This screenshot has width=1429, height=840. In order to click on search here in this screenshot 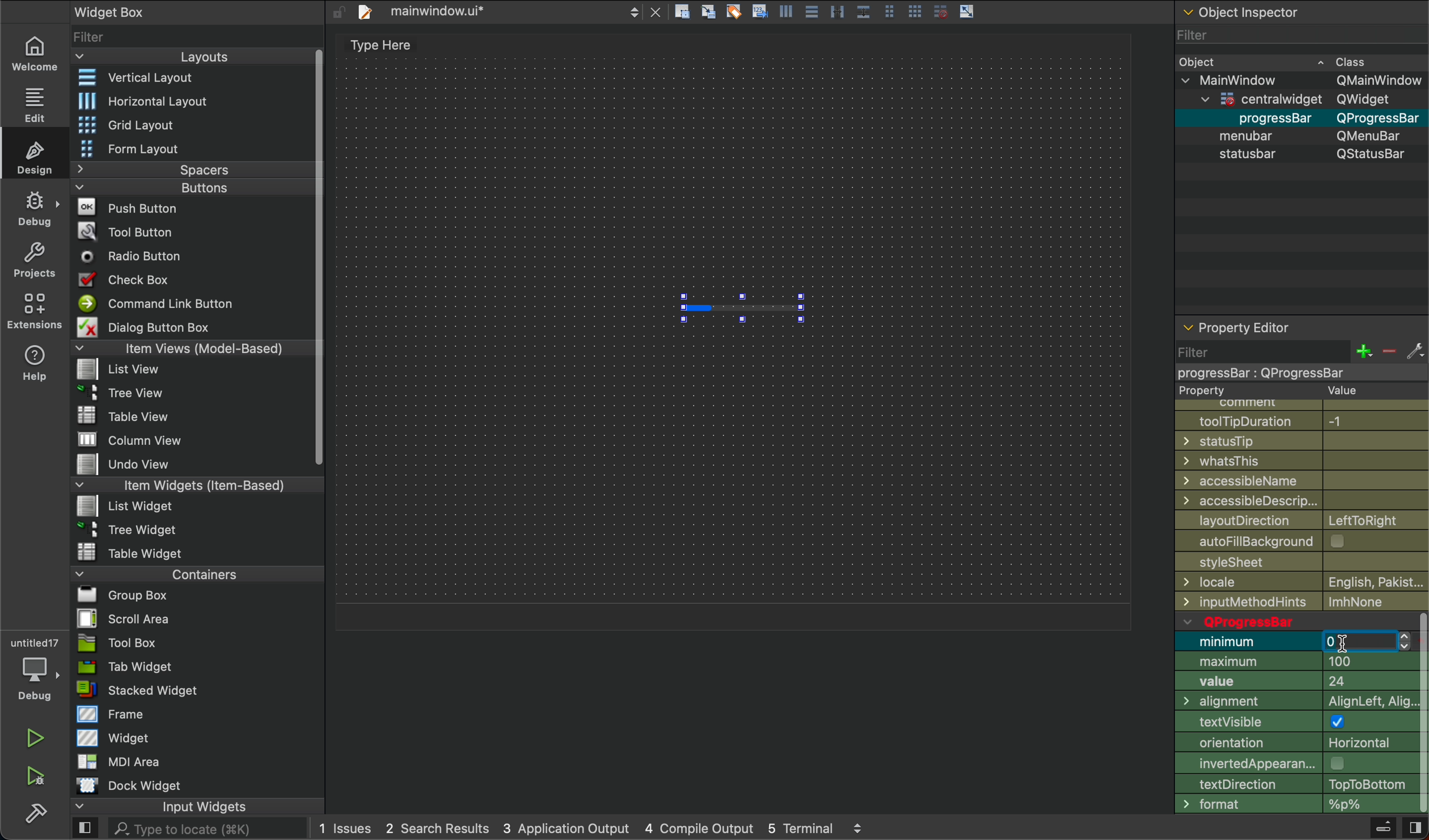, I will do `click(206, 829)`.